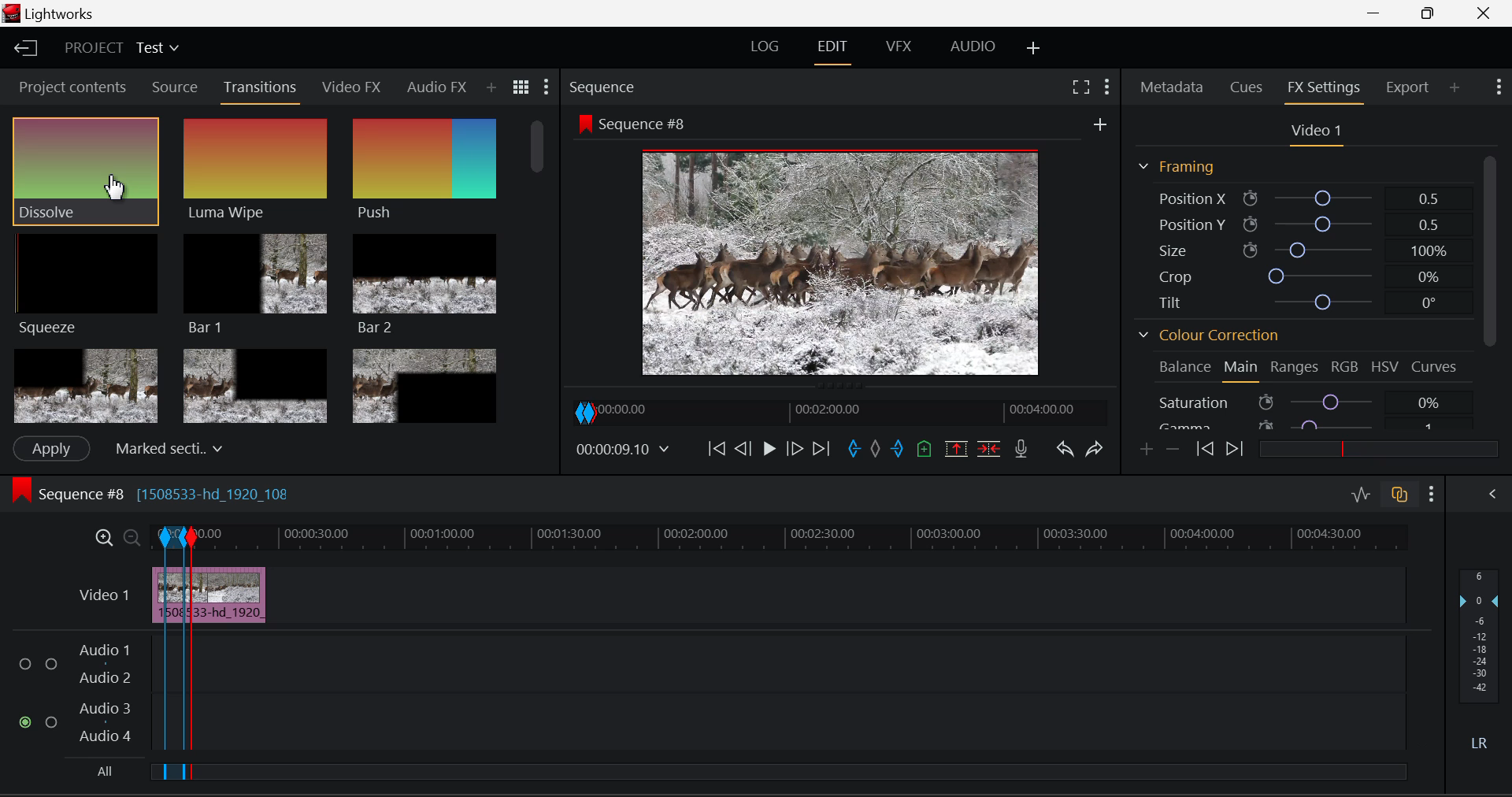 The image size is (1512, 797). I want to click on Show Audio Mix, so click(1493, 496).